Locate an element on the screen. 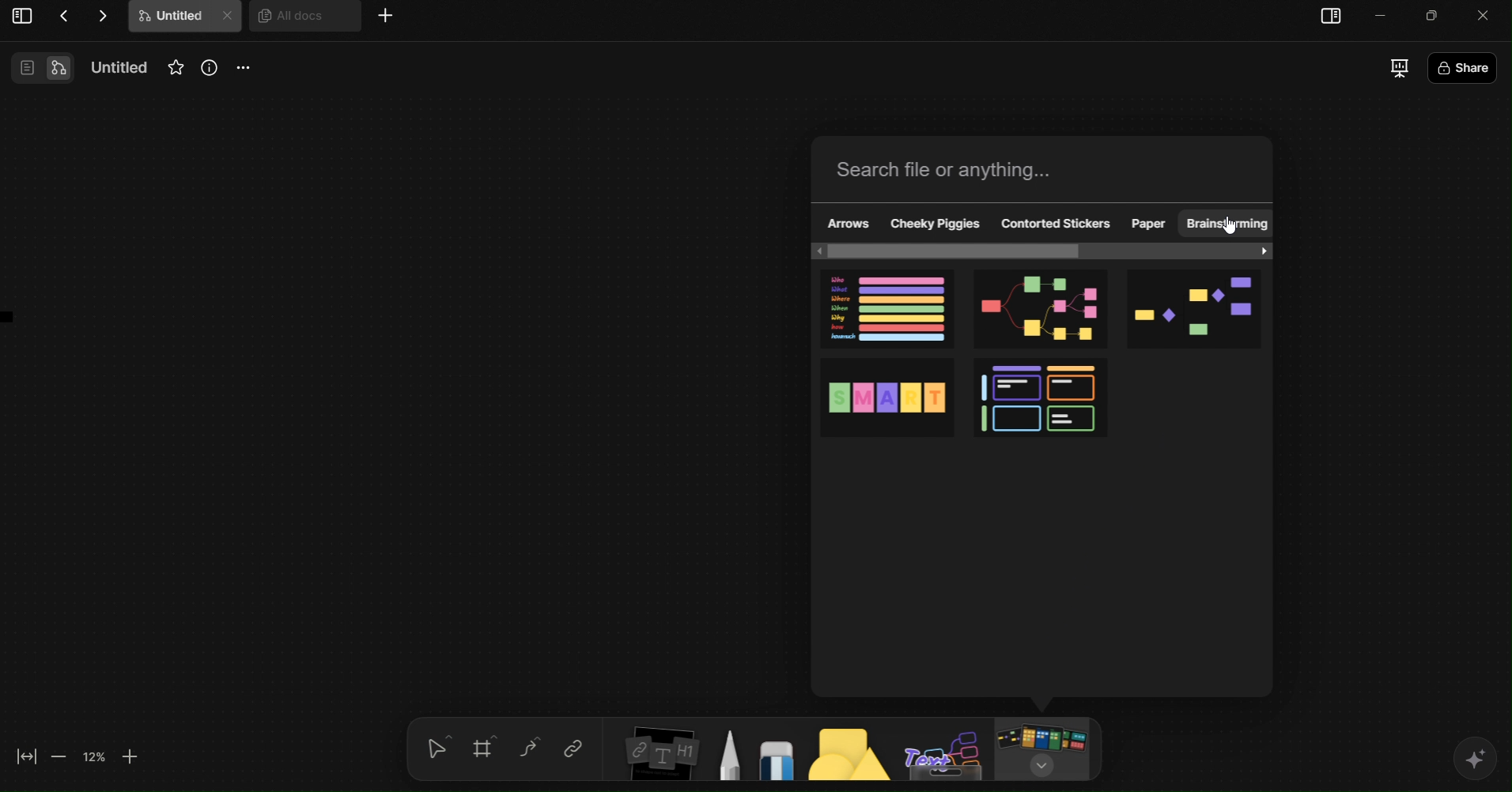 This screenshot has height=792, width=1512. Curve Tool is located at coordinates (528, 749).